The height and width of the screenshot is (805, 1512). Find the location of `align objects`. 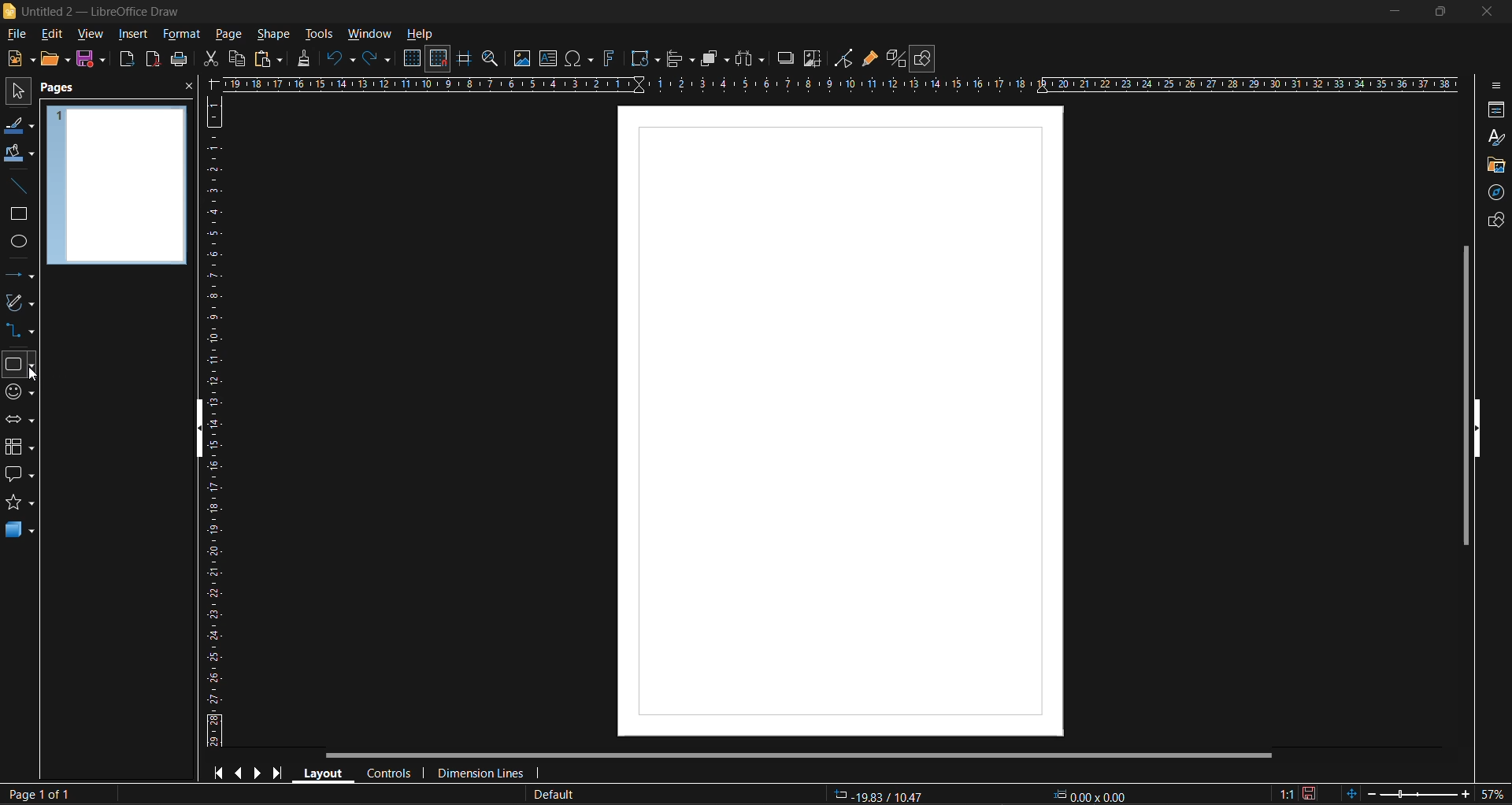

align objects is located at coordinates (682, 61).